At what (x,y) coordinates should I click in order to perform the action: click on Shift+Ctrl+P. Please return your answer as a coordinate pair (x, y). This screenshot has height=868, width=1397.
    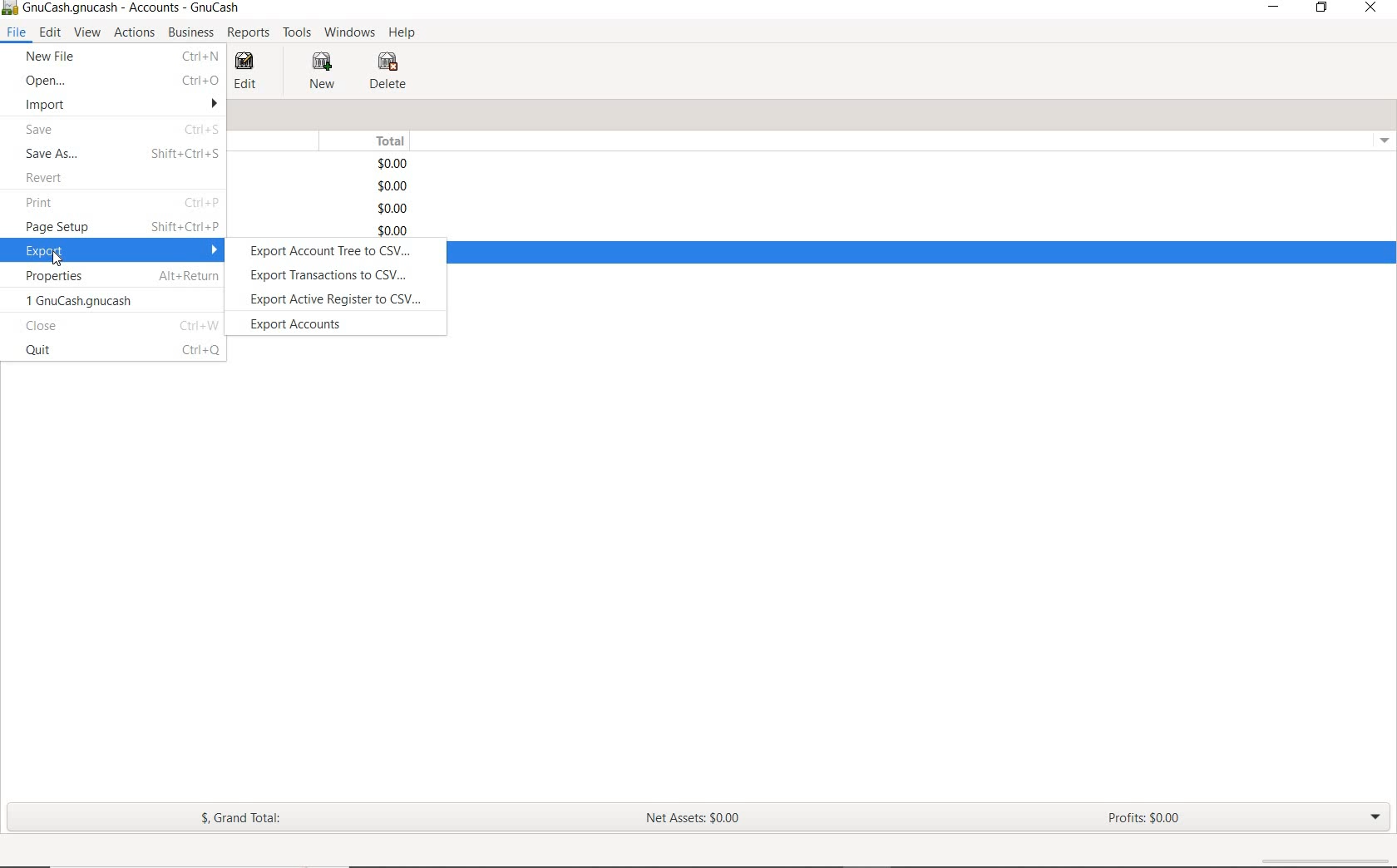
    Looking at the image, I should click on (187, 228).